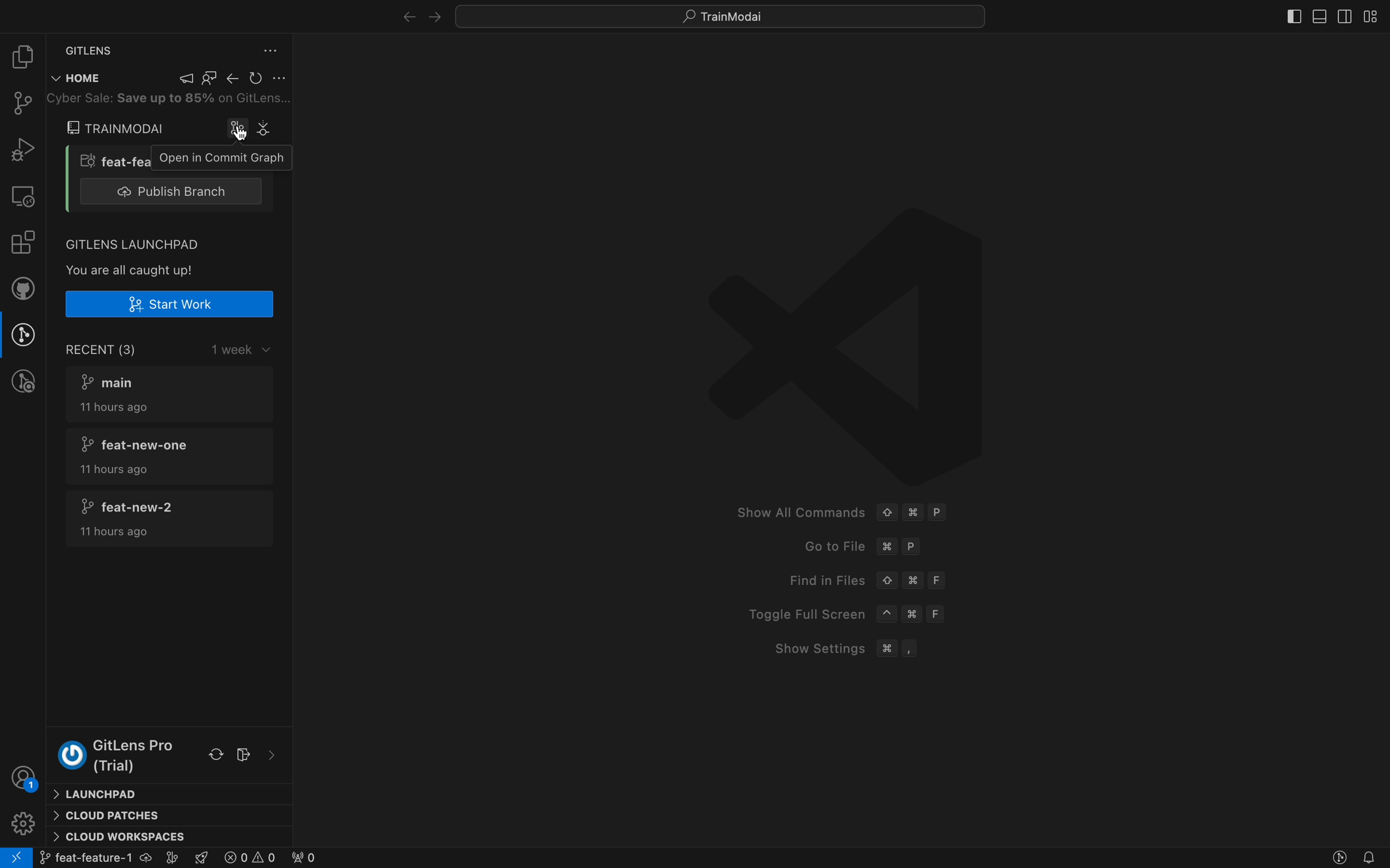 Image resolution: width=1390 pixels, height=868 pixels. What do you see at coordinates (213, 157) in the screenshot?
I see `open a comment` at bounding box center [213, 157].